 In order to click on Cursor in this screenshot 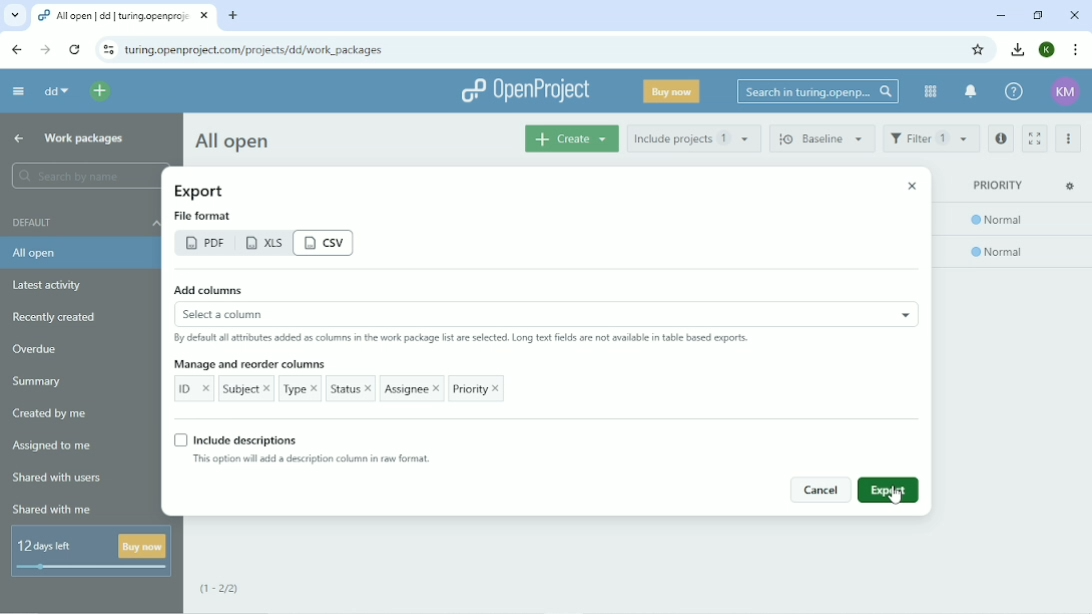, I will do `click(894, 494)`.